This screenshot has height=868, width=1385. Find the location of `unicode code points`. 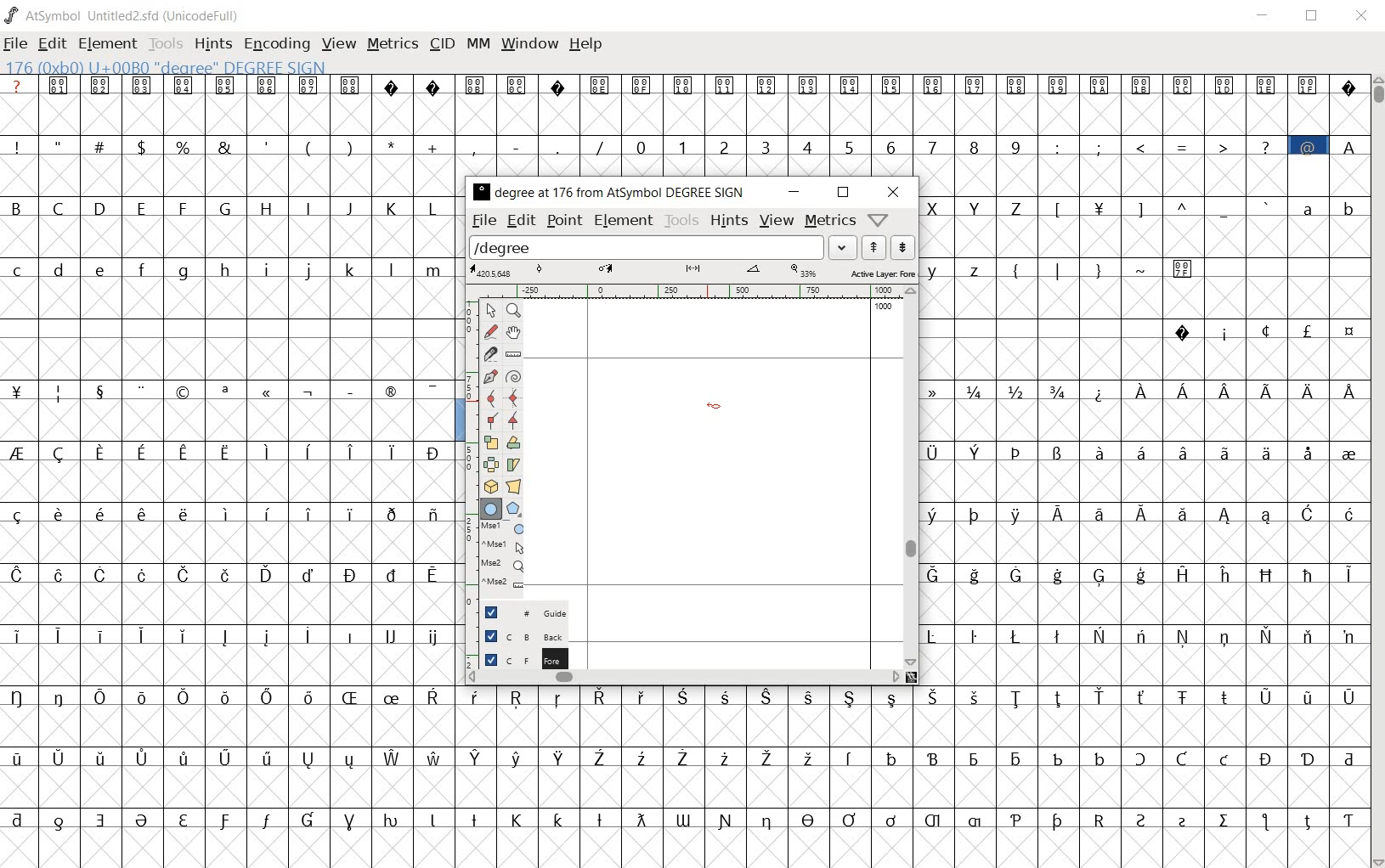

unicode code points is located at coordinates (204, 85).